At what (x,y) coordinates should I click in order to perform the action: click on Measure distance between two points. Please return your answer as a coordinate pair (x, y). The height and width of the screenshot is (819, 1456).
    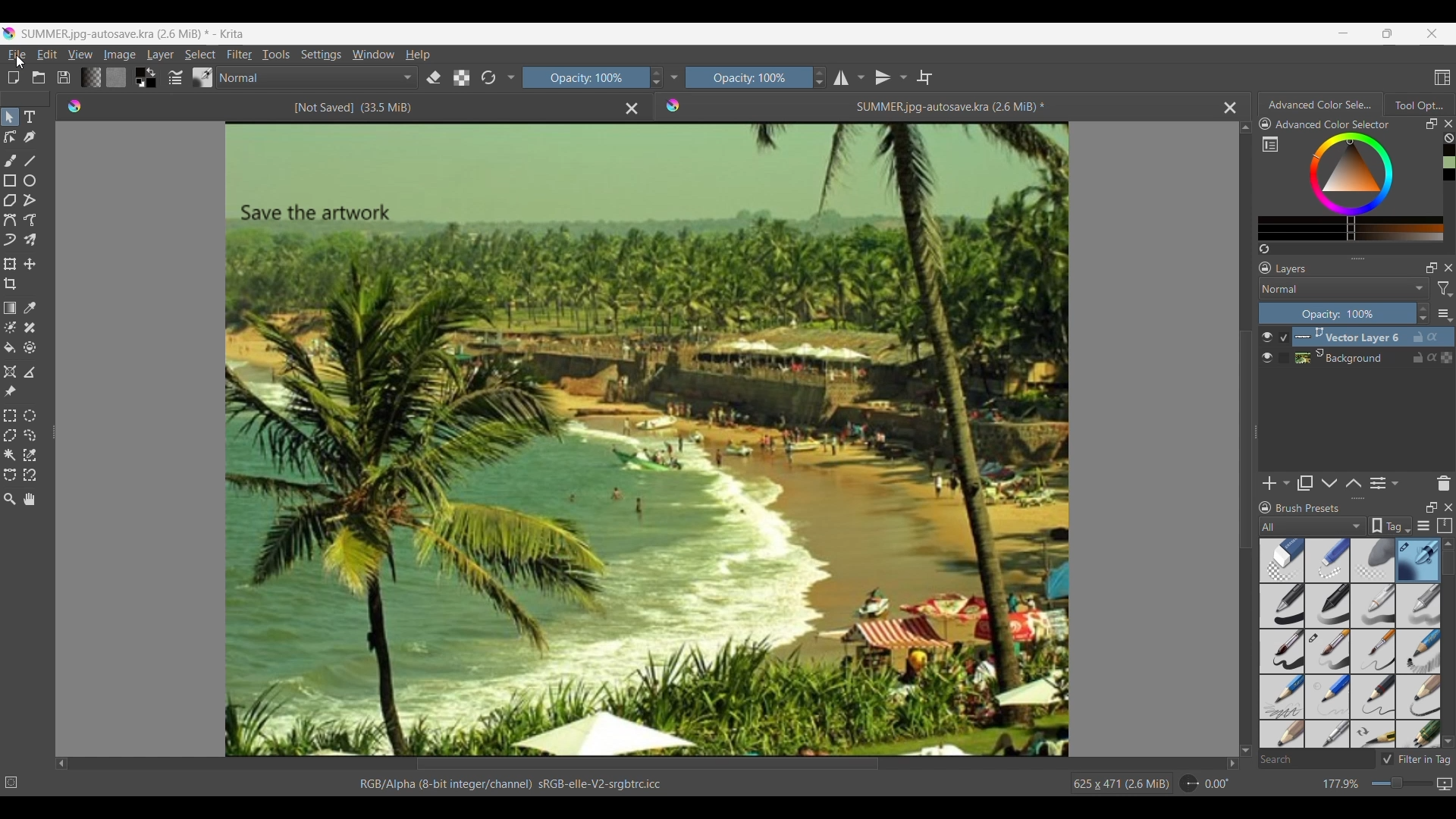
    Looking at the image, I should click on (31, 372).